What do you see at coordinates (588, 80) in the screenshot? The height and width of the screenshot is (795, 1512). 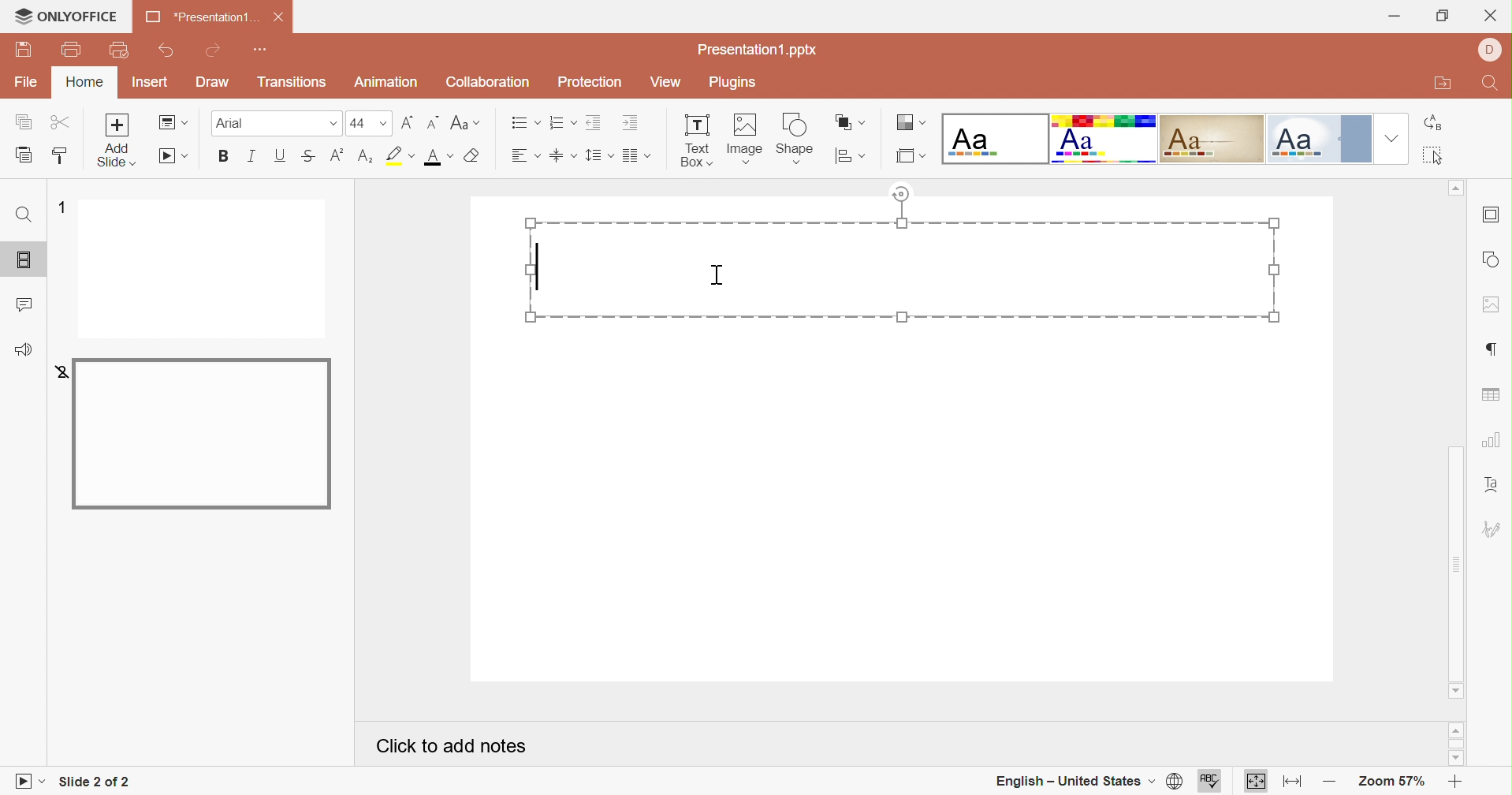 I see `Protection` at bounding box center [588, 80].